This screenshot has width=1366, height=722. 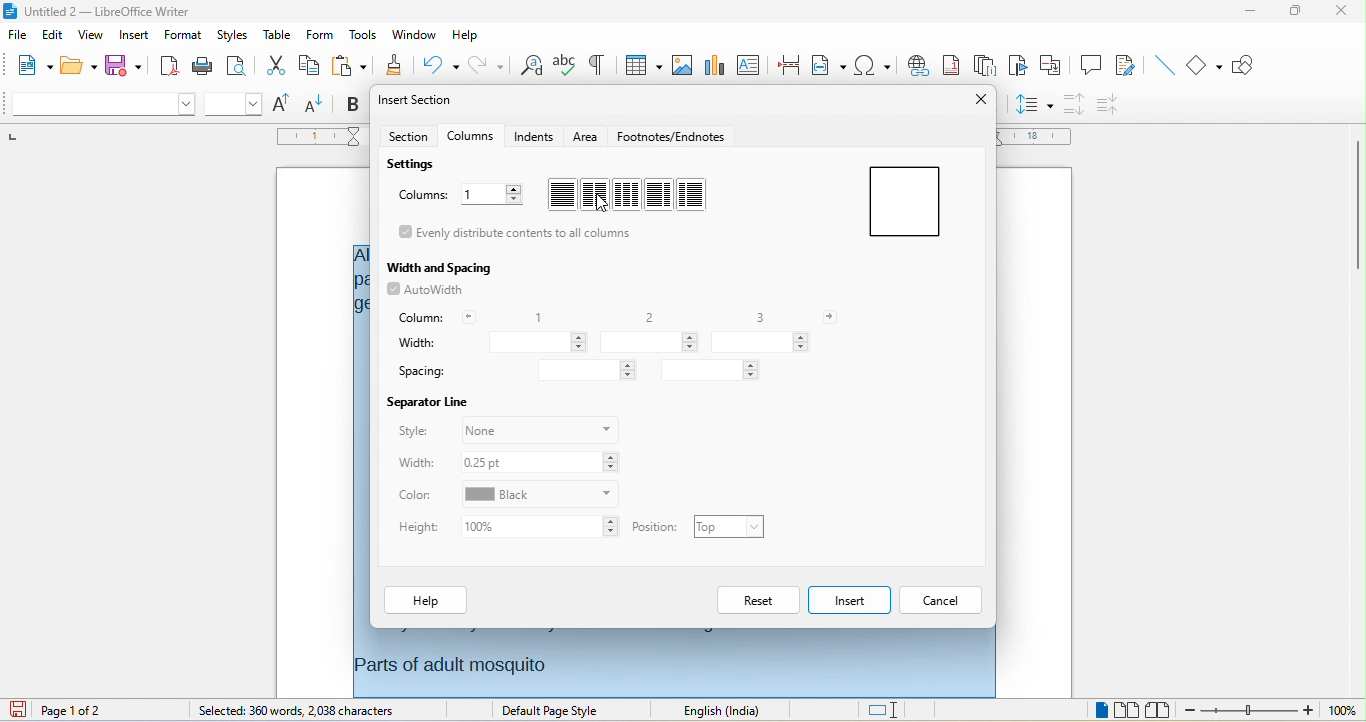 What do you see at coordinates (587, 370) in the screenshot?
I see `spacing between column 1 & 2` at bounding box center [587, 370].